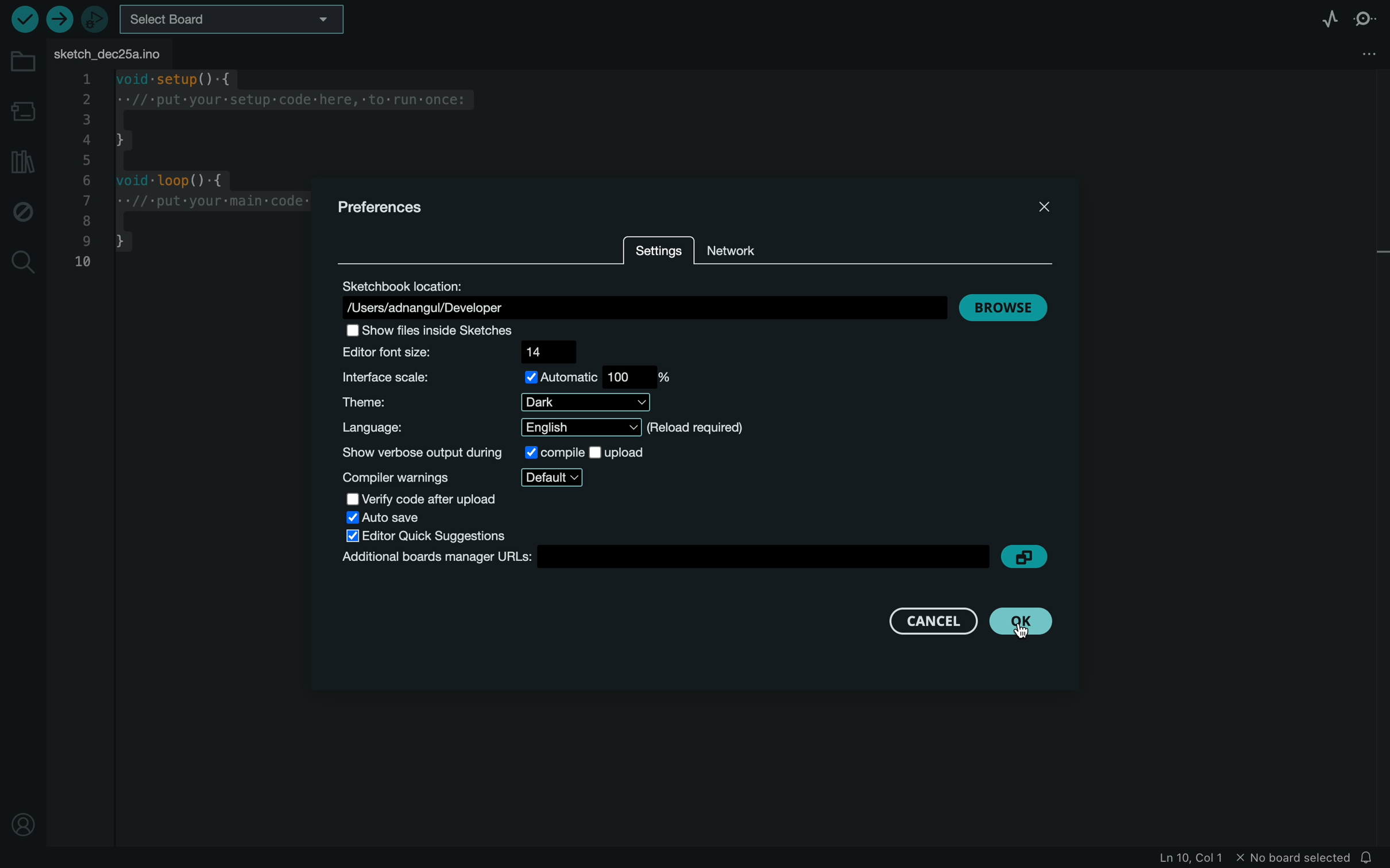 The height and width of the screenshot is (868, 1390). What do you see at coordinates (393, 518) in the screenshot?
I see `auto  save` at bounding box center [393, 518].